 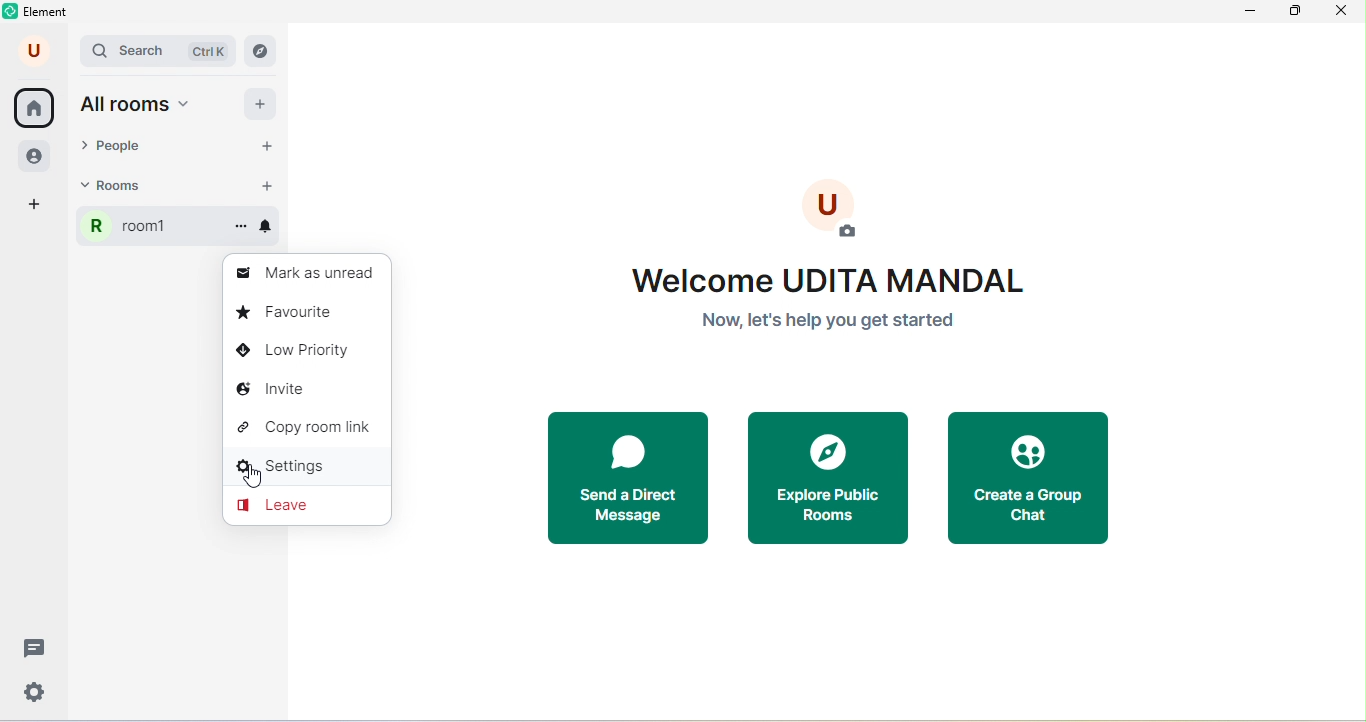 I want to click on copy room link, so click(x=310, y=429).